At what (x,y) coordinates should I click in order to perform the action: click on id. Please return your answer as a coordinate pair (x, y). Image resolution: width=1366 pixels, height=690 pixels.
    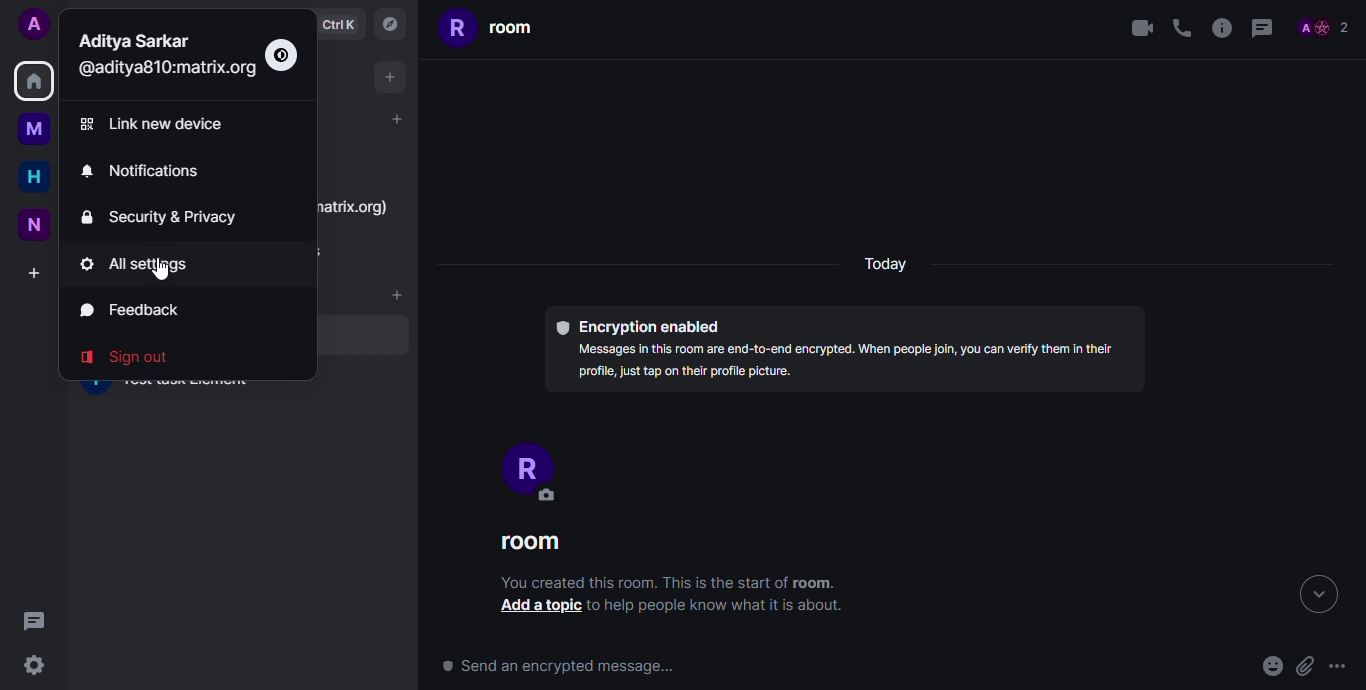
    Looking at the image, I should click on (165, 69).